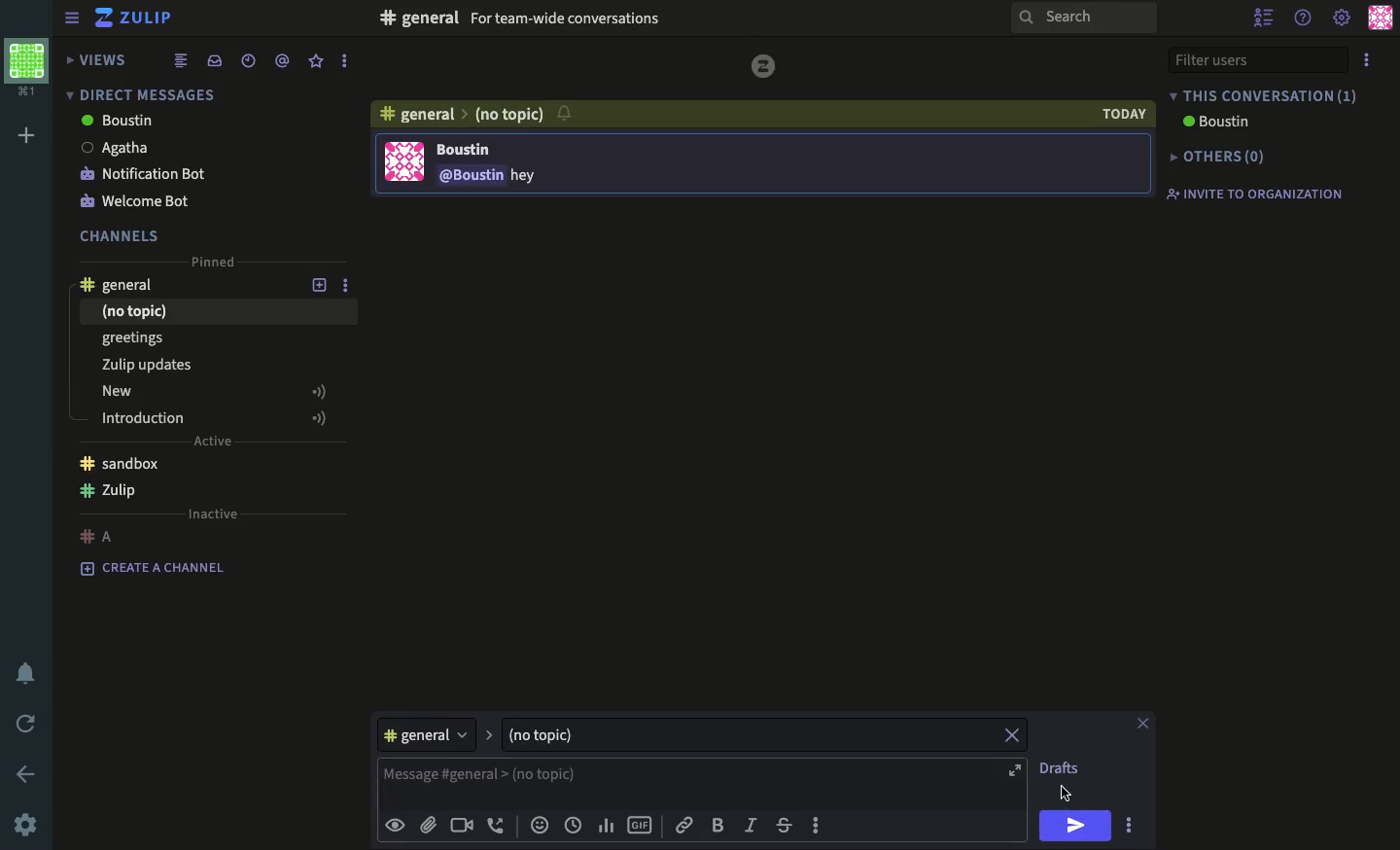 This screenshot has width=1400, height=850. Describe the element at coordinates (134, 18) in the screenshot. I see `Zulip` at that location.